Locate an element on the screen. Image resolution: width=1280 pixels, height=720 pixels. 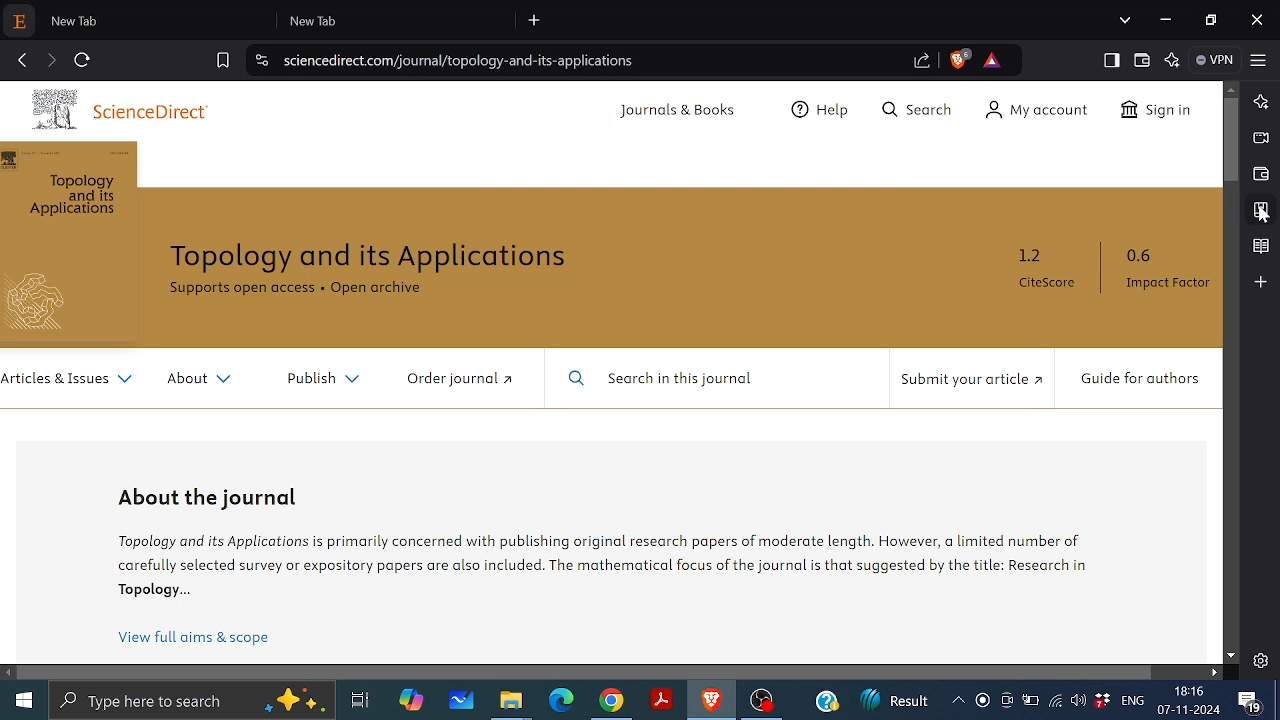
screen recorder is located at coordinates (984, 700).